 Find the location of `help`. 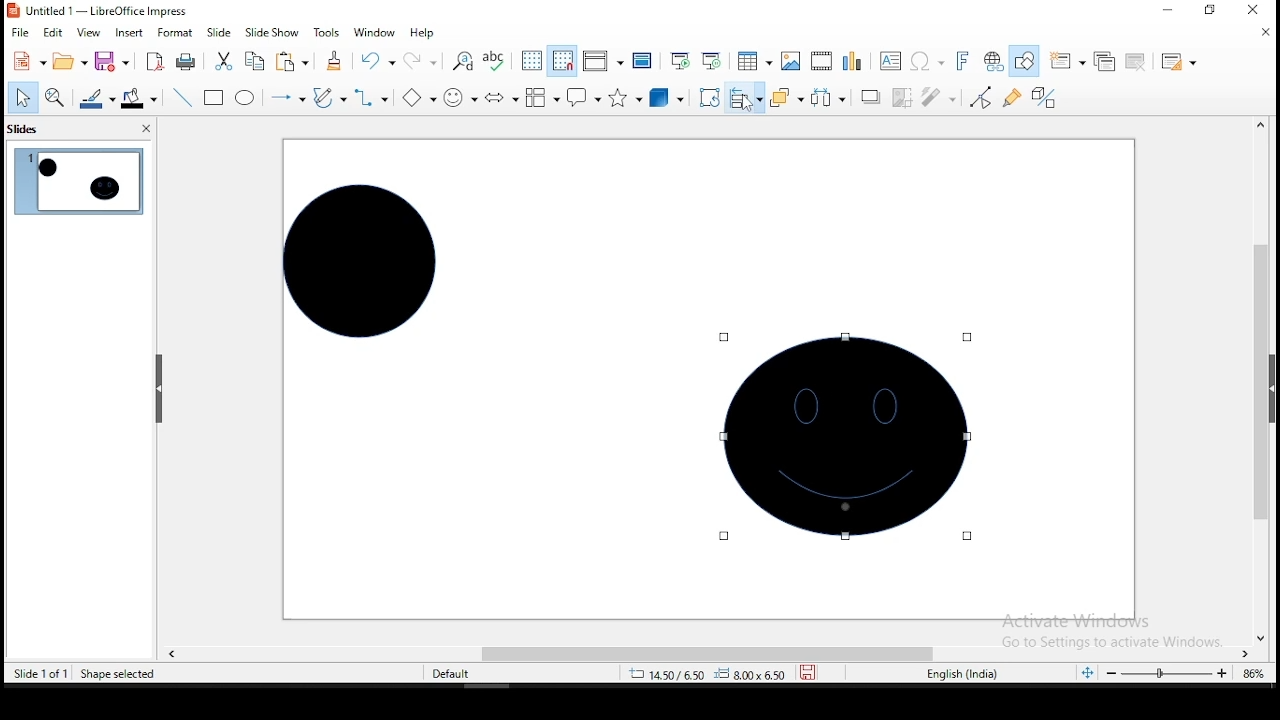

help is located at coordinates (423, 32).